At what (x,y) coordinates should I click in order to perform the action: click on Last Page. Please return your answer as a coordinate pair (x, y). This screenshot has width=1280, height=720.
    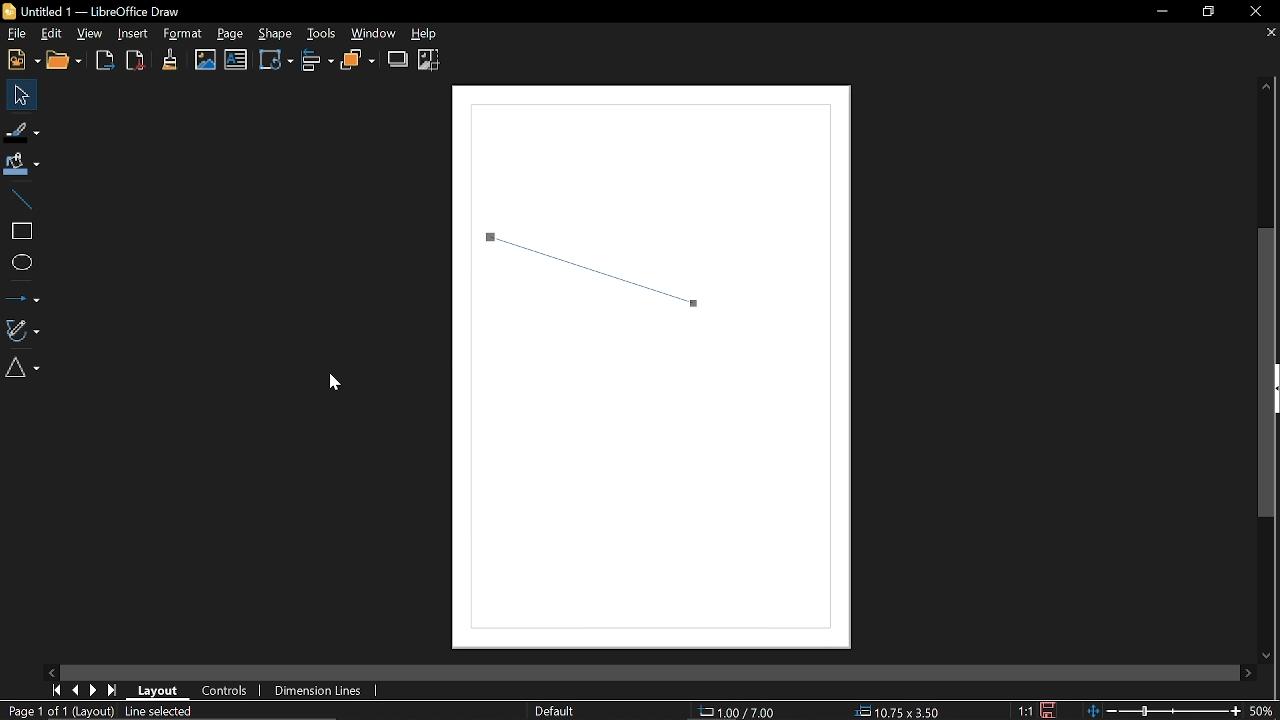
    Looking at the image, I should click on (113, 690).